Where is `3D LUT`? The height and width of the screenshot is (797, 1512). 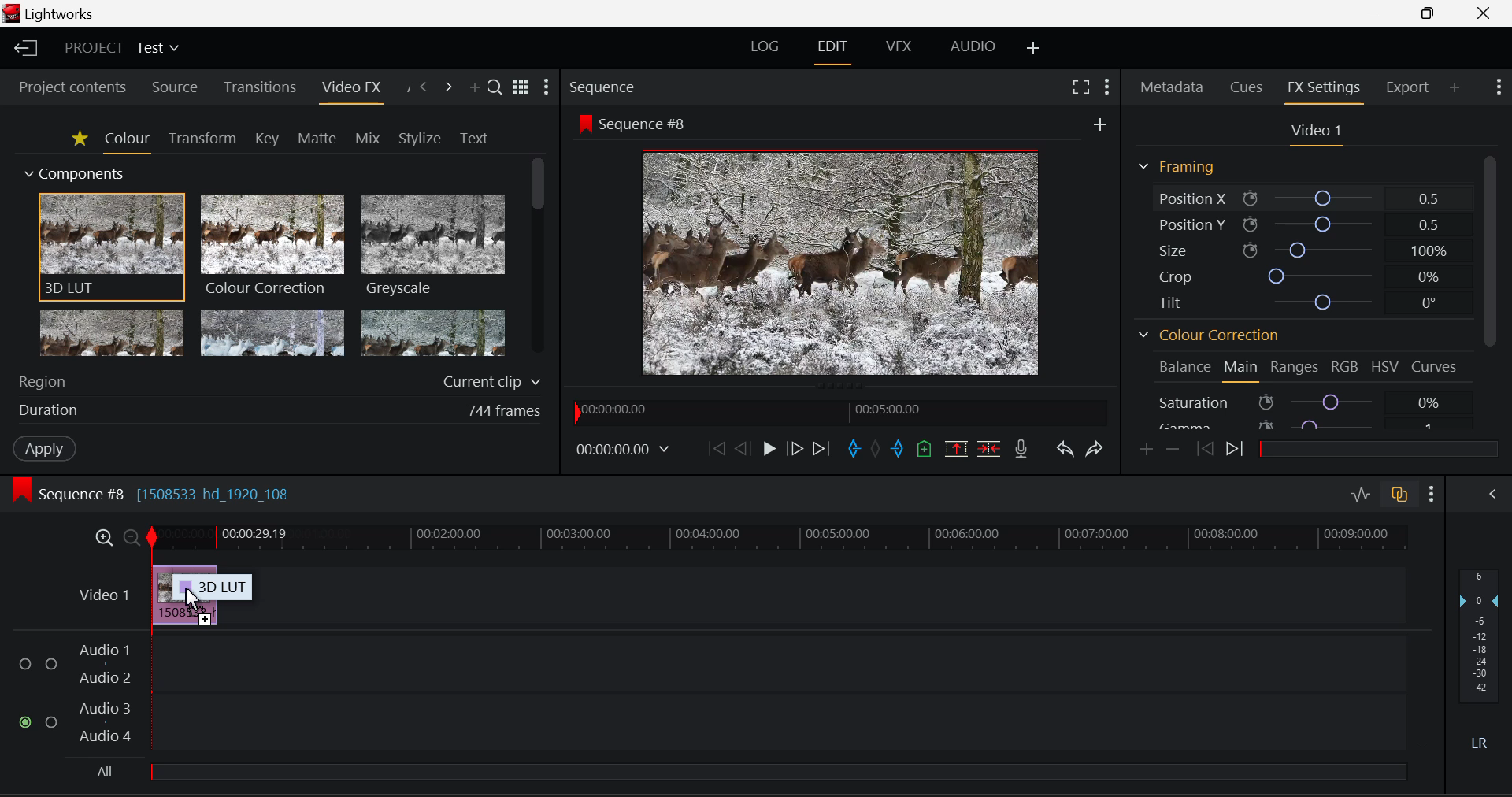 3D LUT is located at coordinates (109, 247).